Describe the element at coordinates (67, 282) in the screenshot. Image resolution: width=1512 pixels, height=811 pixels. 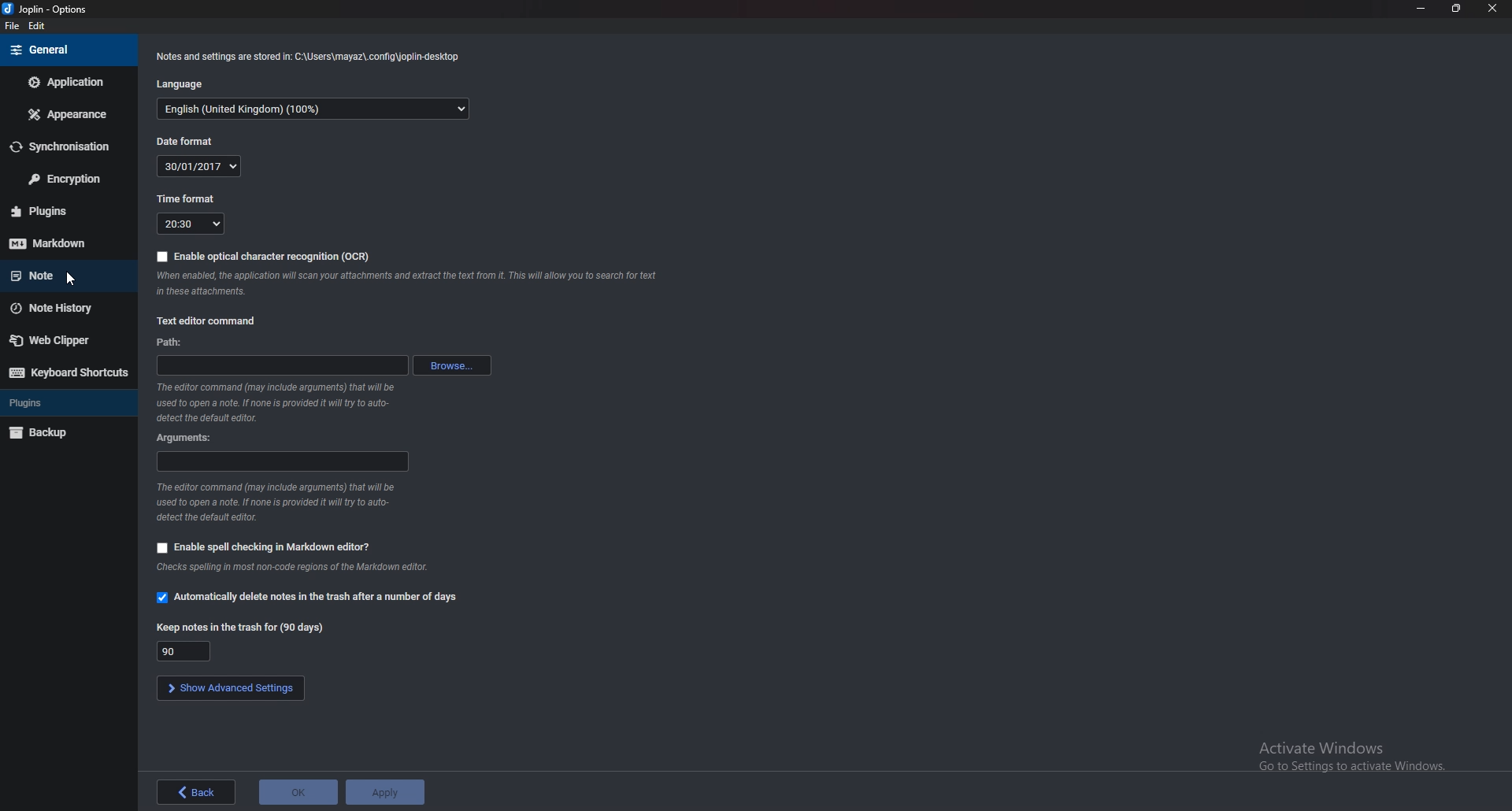
I see `cursor` at that location.